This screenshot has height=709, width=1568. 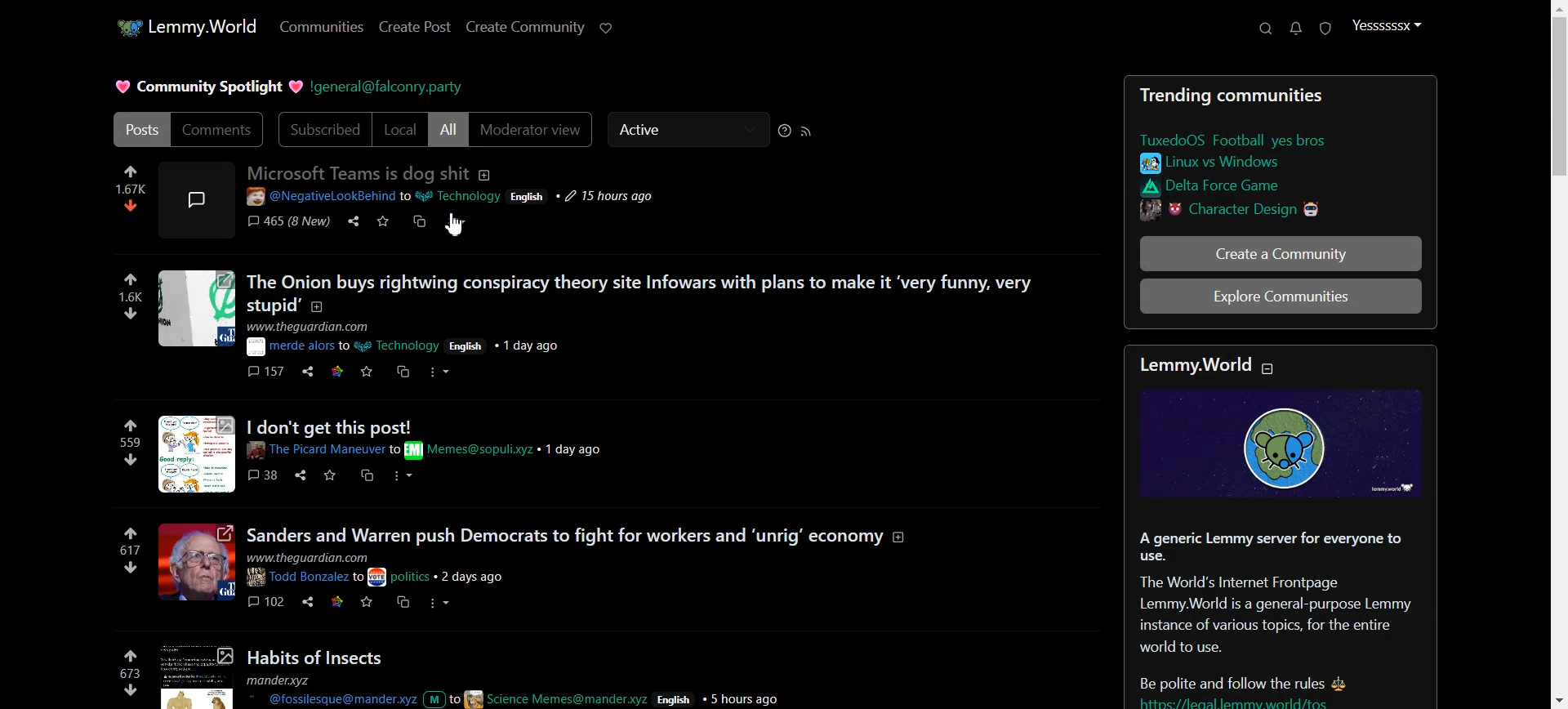 What do you see at coordinates (443, 372) in the screenshot?
I see `more` at bounding box center [443, 372].